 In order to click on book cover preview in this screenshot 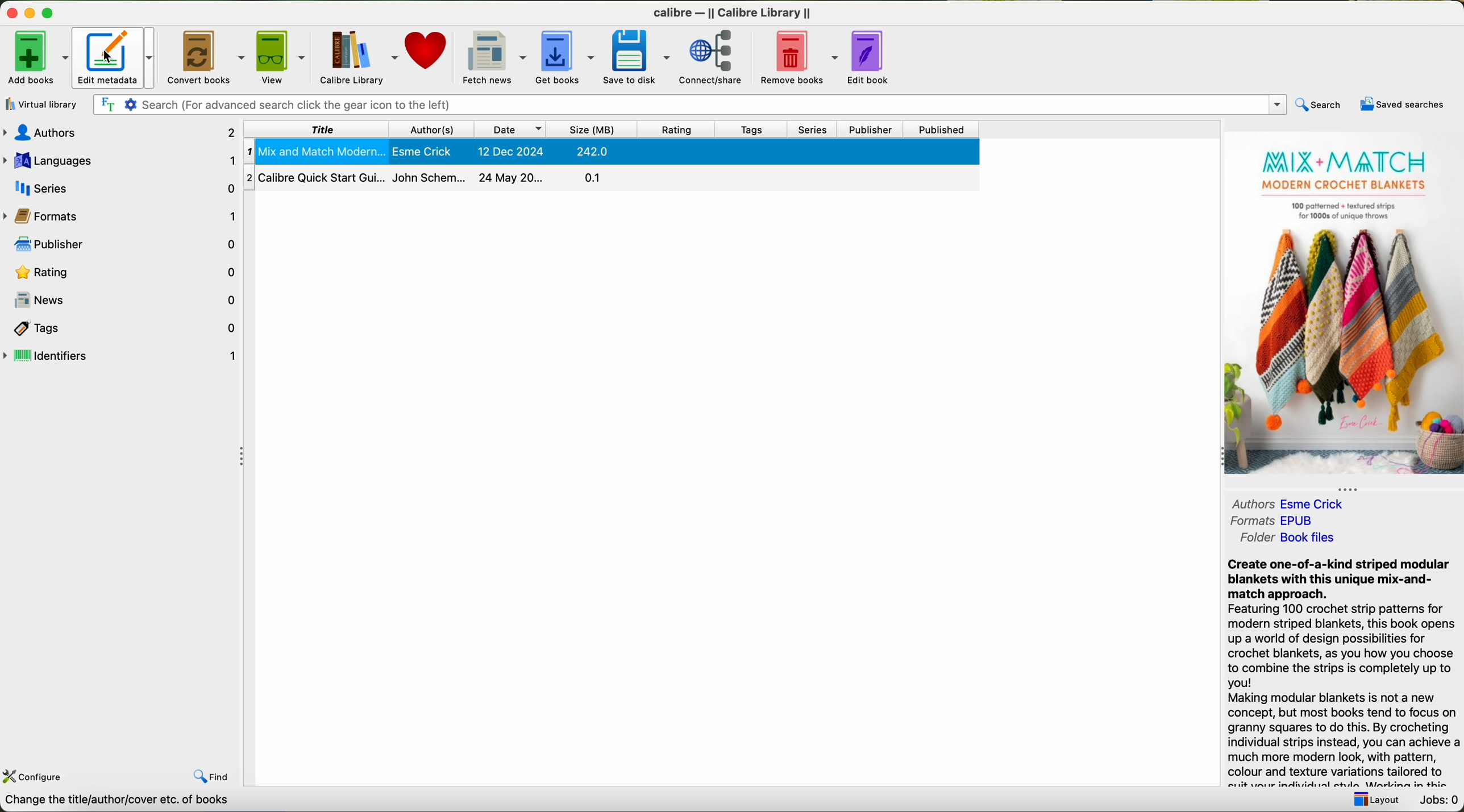, I will do `click(1342, 305)`.